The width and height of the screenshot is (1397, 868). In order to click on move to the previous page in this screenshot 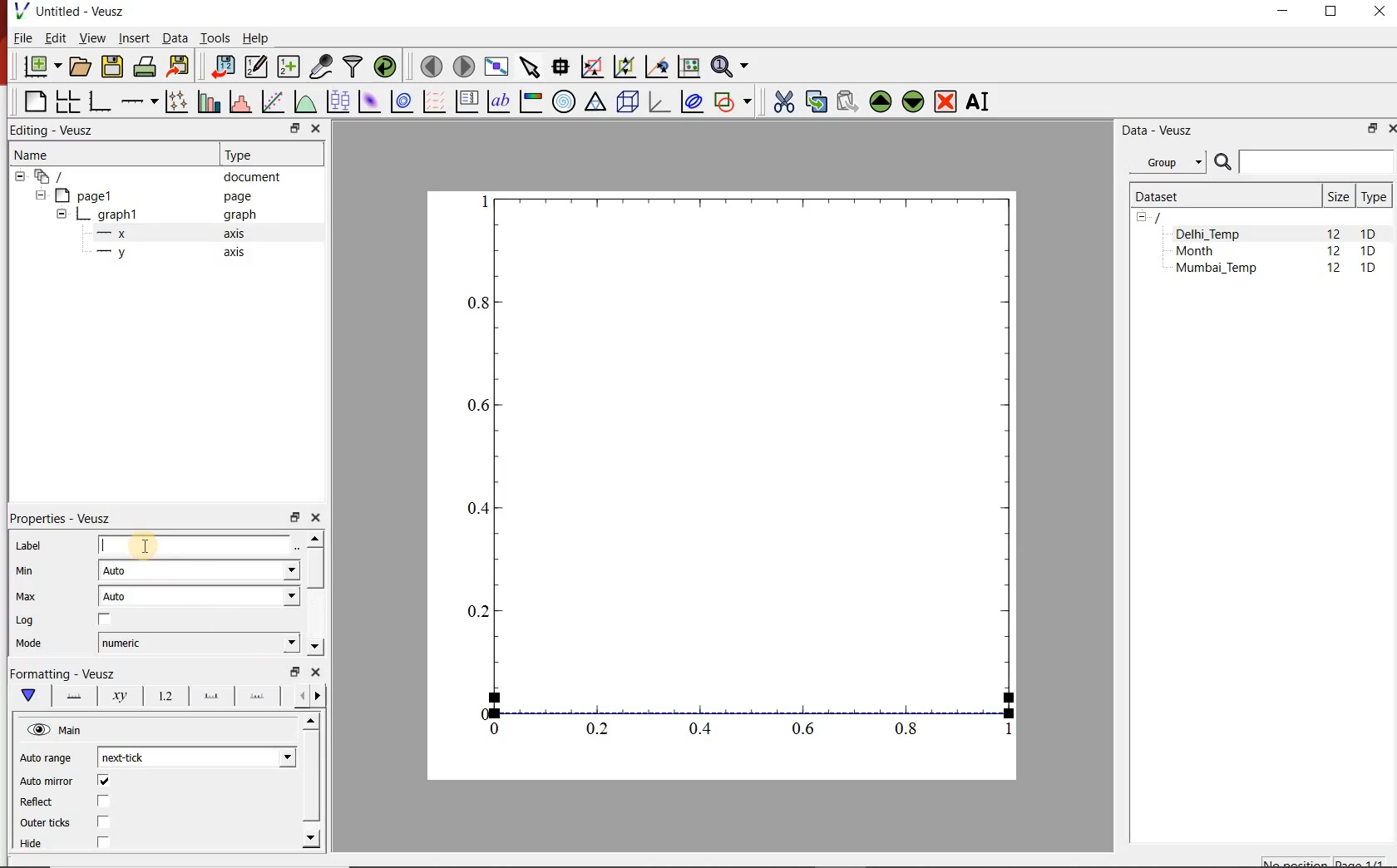, I will do `click(431, 66)`.